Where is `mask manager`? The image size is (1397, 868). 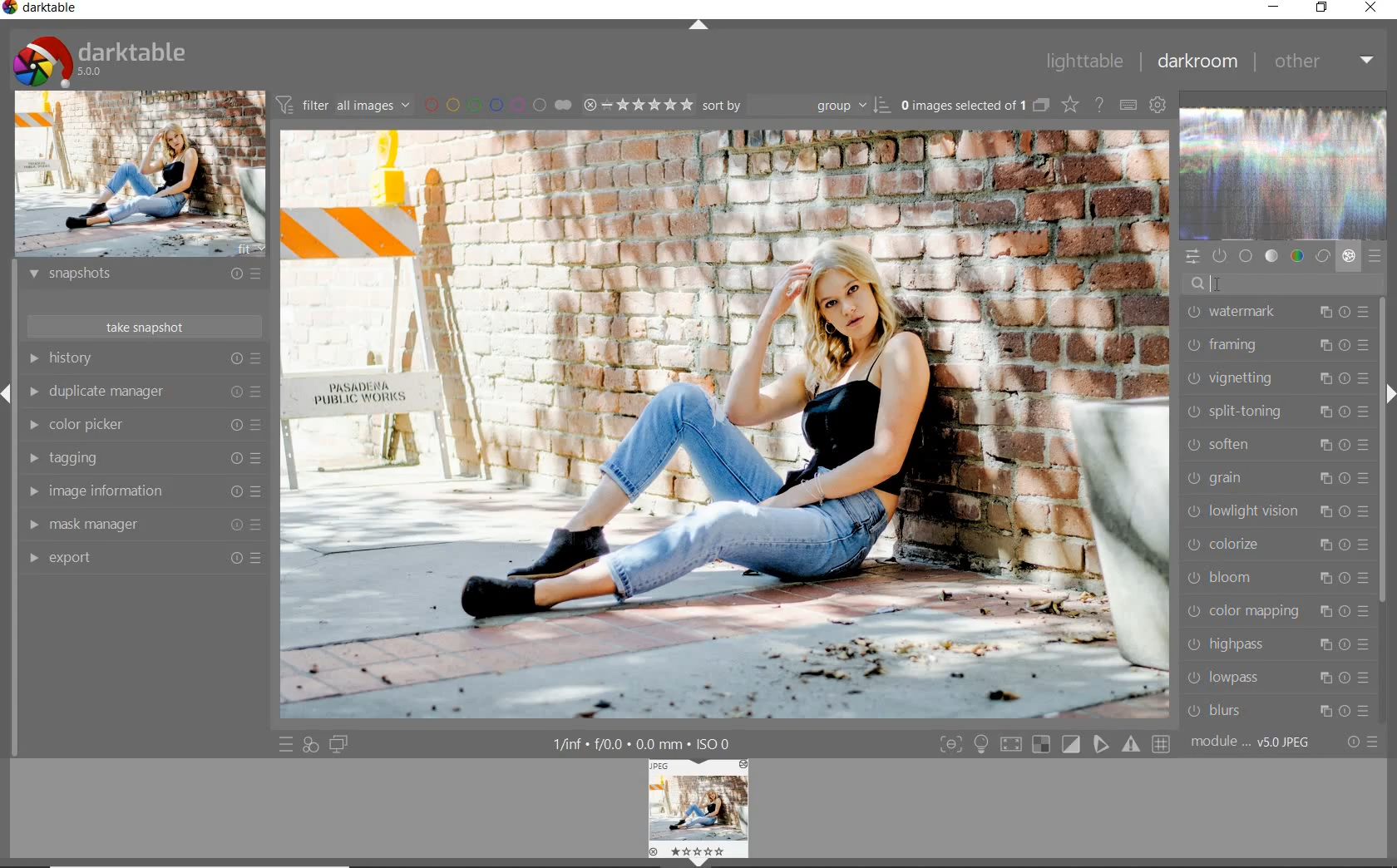 mask manager is located at coordinates (141, 523).